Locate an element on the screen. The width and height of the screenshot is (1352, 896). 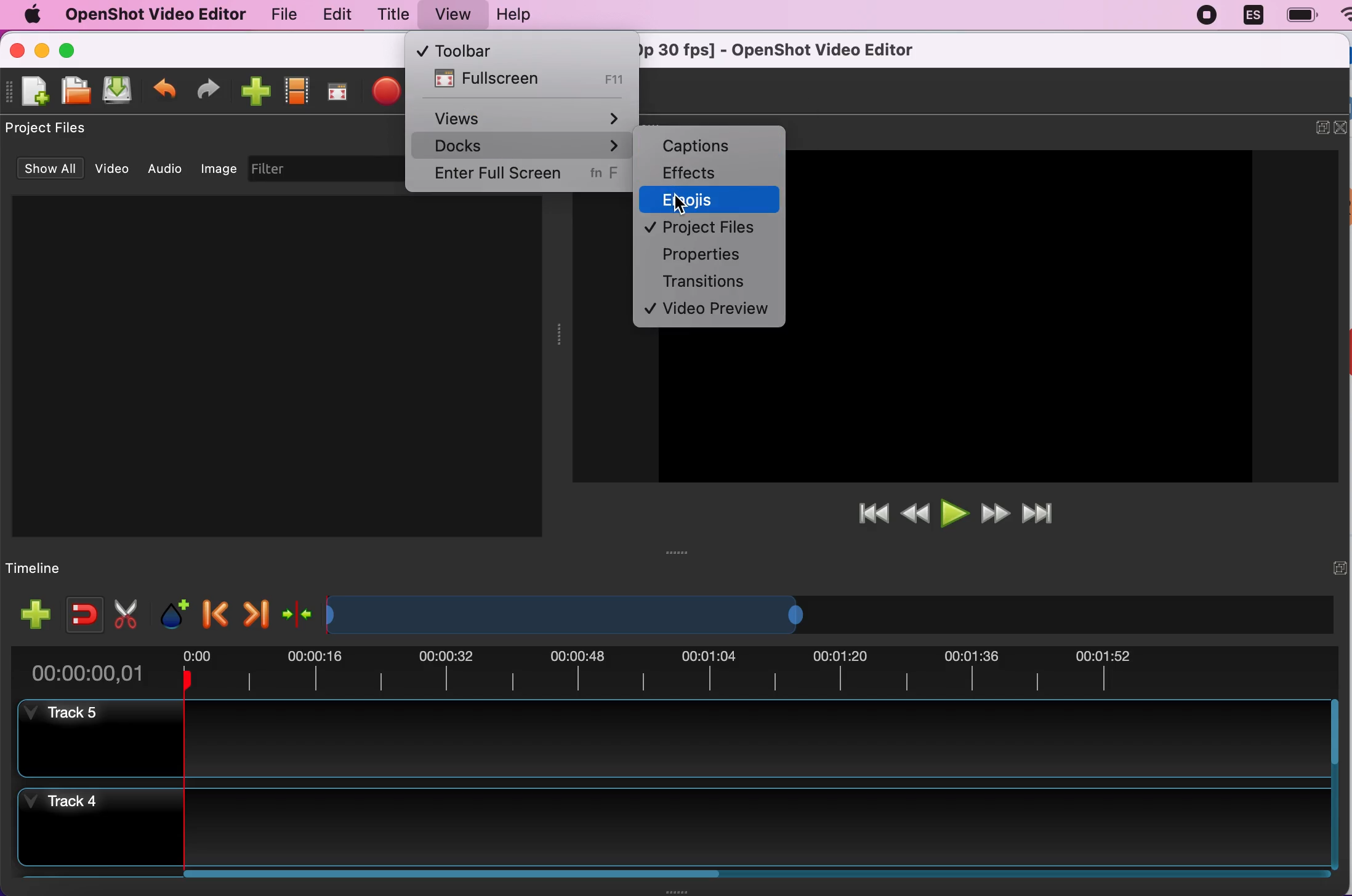
previous marker is located at coordinates (216, 610).